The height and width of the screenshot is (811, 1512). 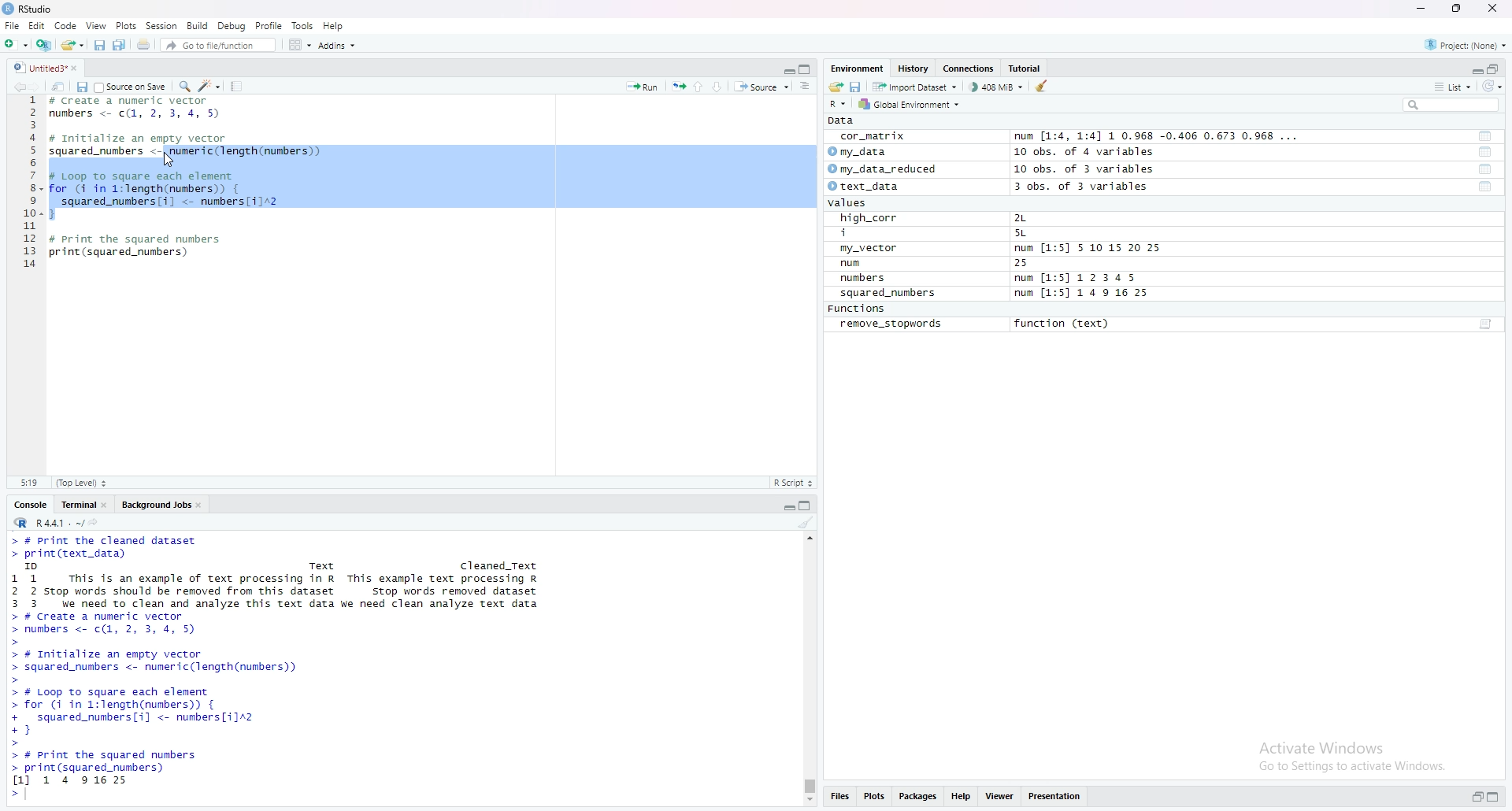 I want to click on Terminal, so click(x=76, y=503).